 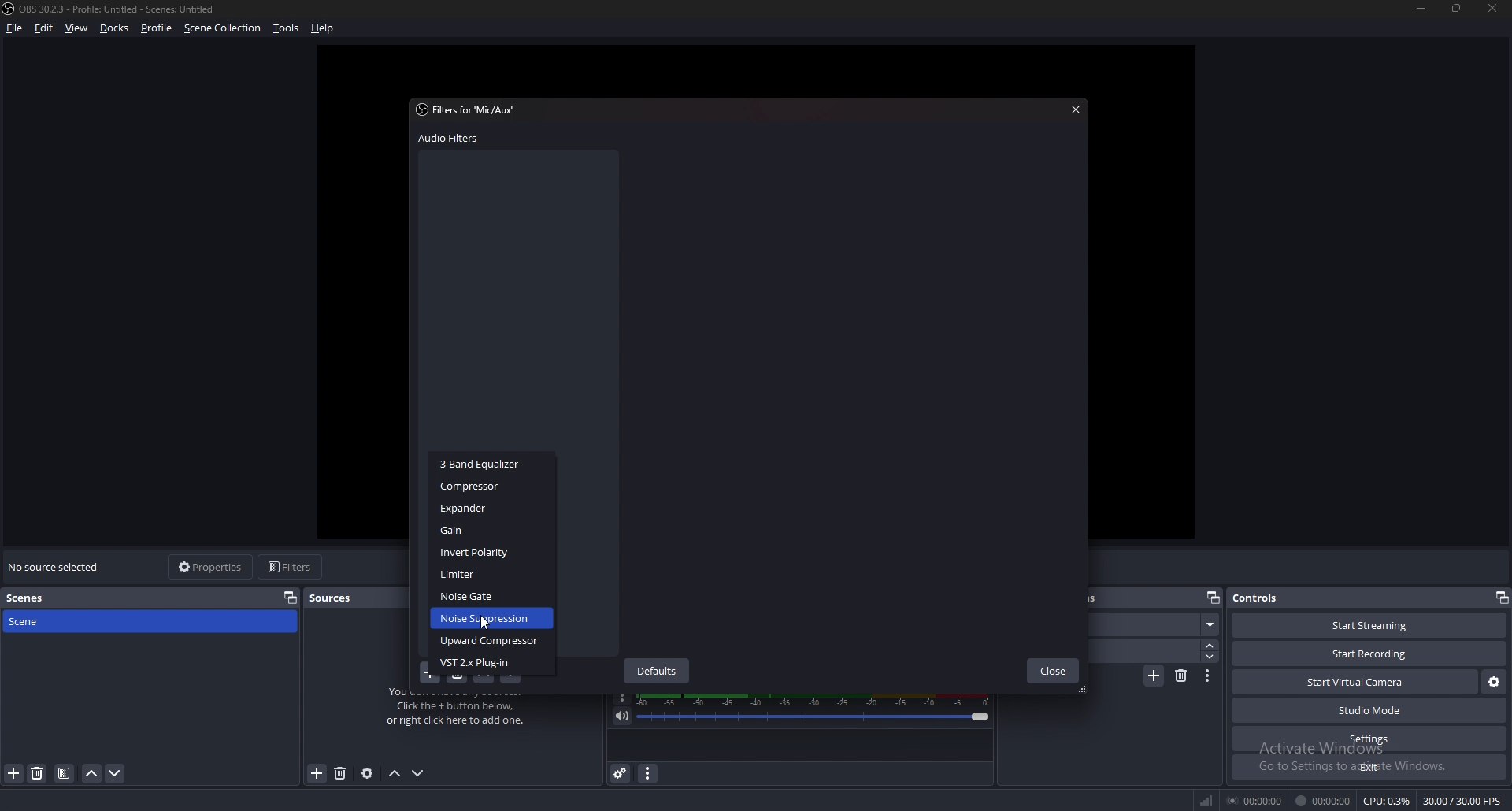 What do you see at coordinates (1142, 597) in the screenshot?
I see `scene transitions` at bounding box center [1142, 597].